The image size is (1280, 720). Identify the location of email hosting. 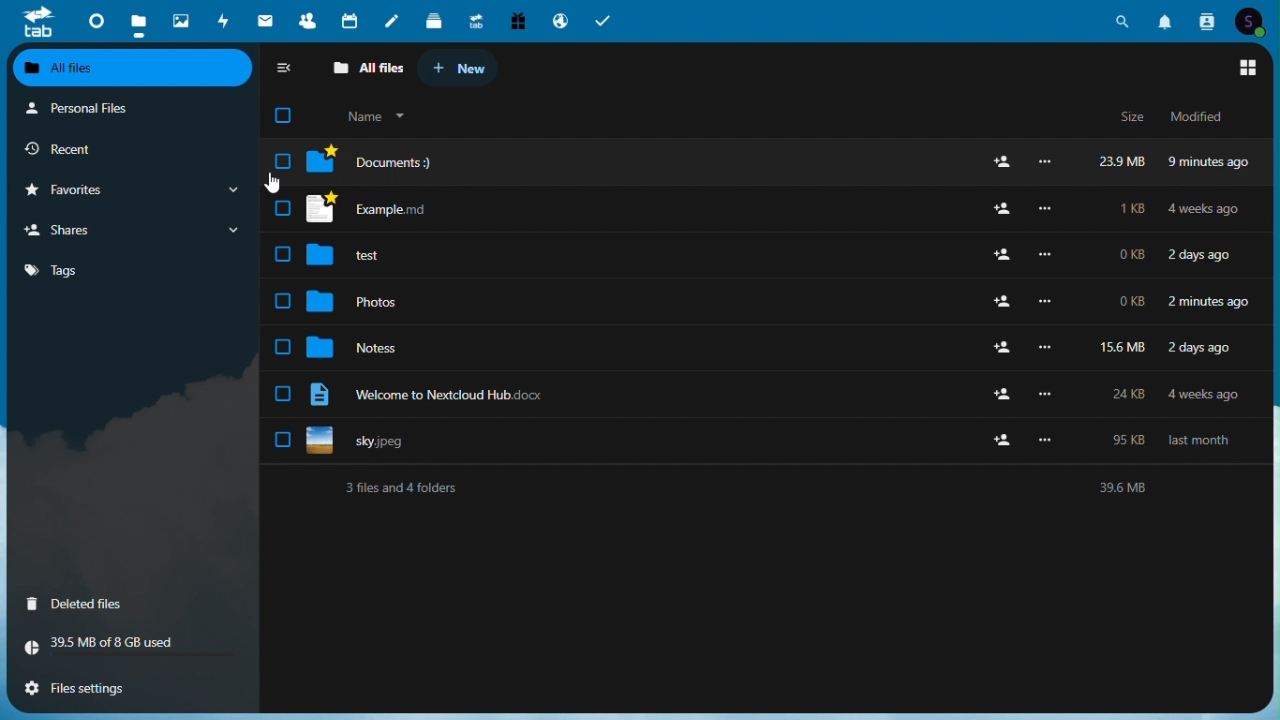
(559, 19).